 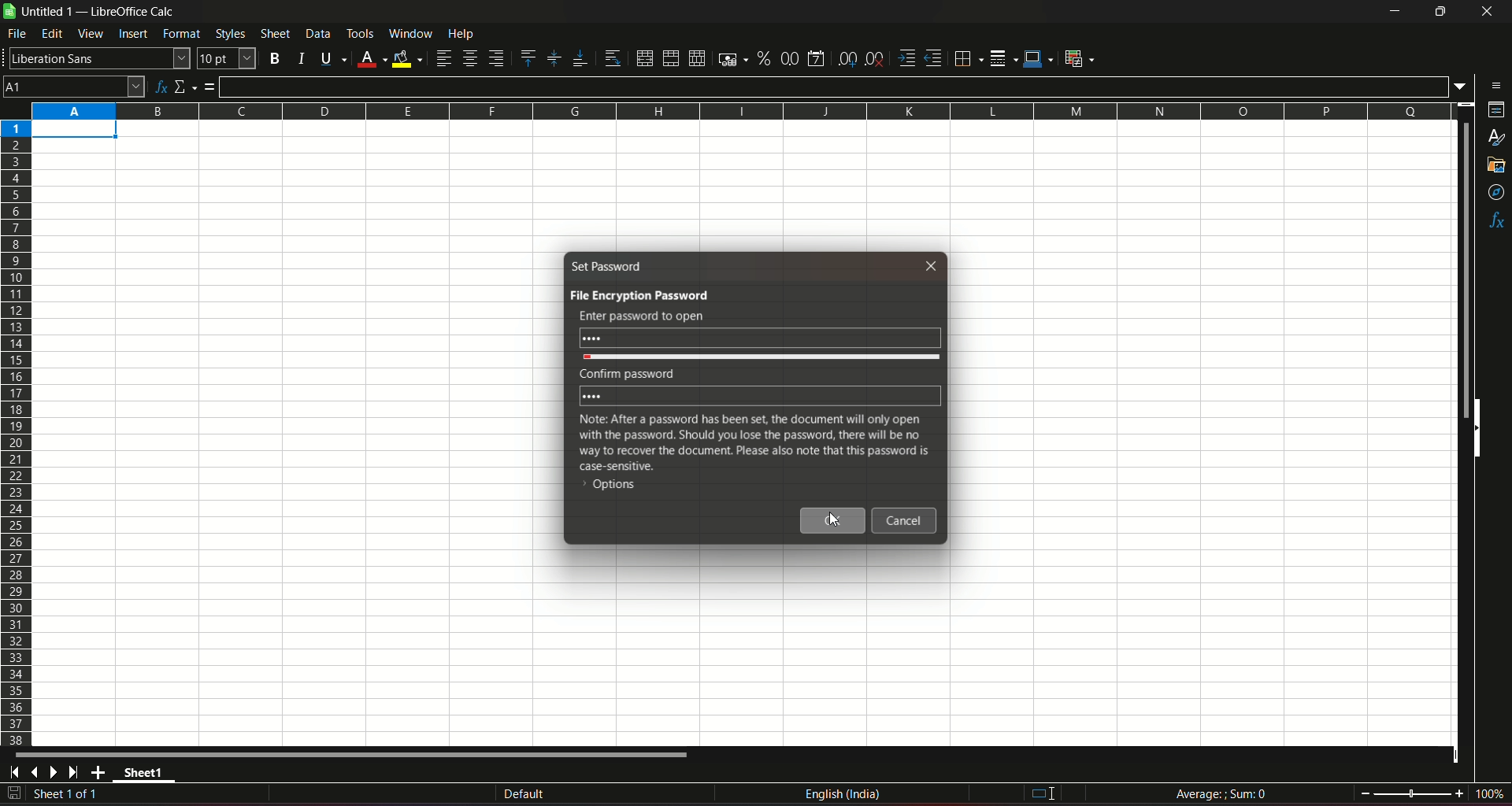 What do you see at coordinates (906, 57) in the screenshot?
I see `increase indent` at bounding box center [906, 57].